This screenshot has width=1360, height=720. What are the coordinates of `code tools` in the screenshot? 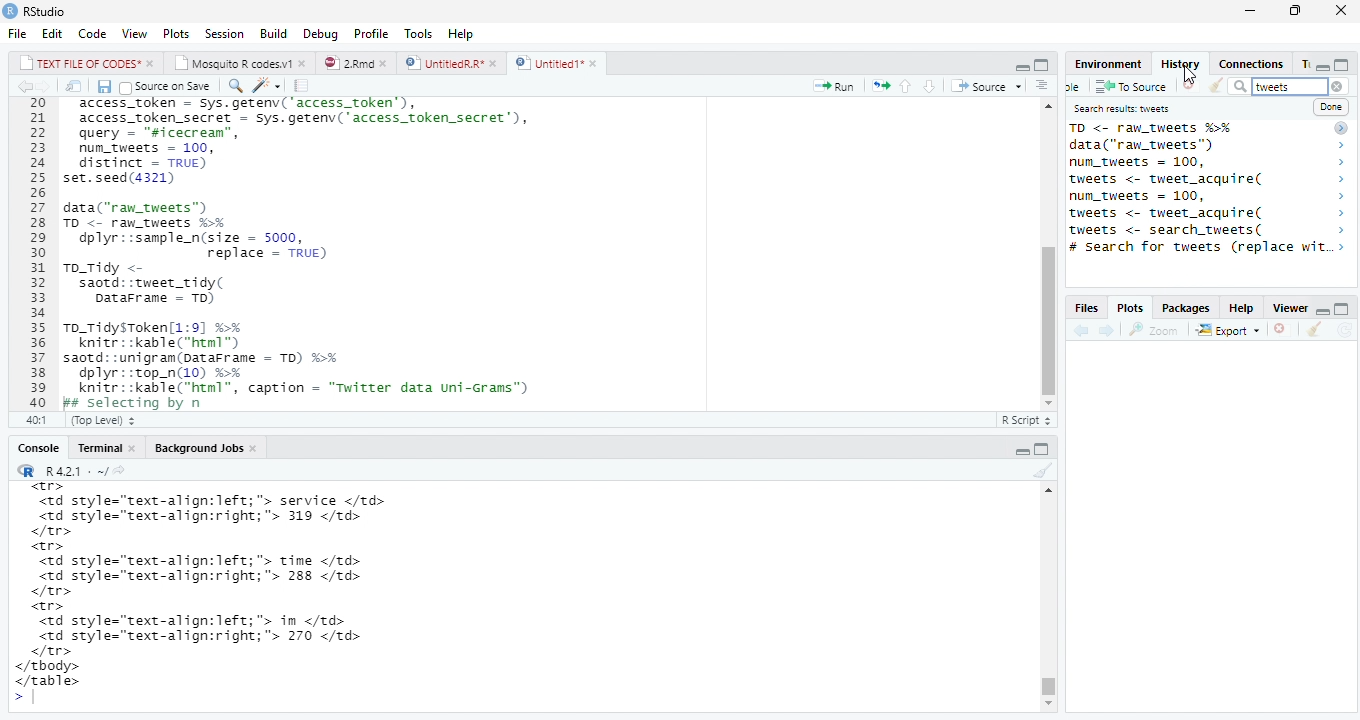 It's located at (271, 85).